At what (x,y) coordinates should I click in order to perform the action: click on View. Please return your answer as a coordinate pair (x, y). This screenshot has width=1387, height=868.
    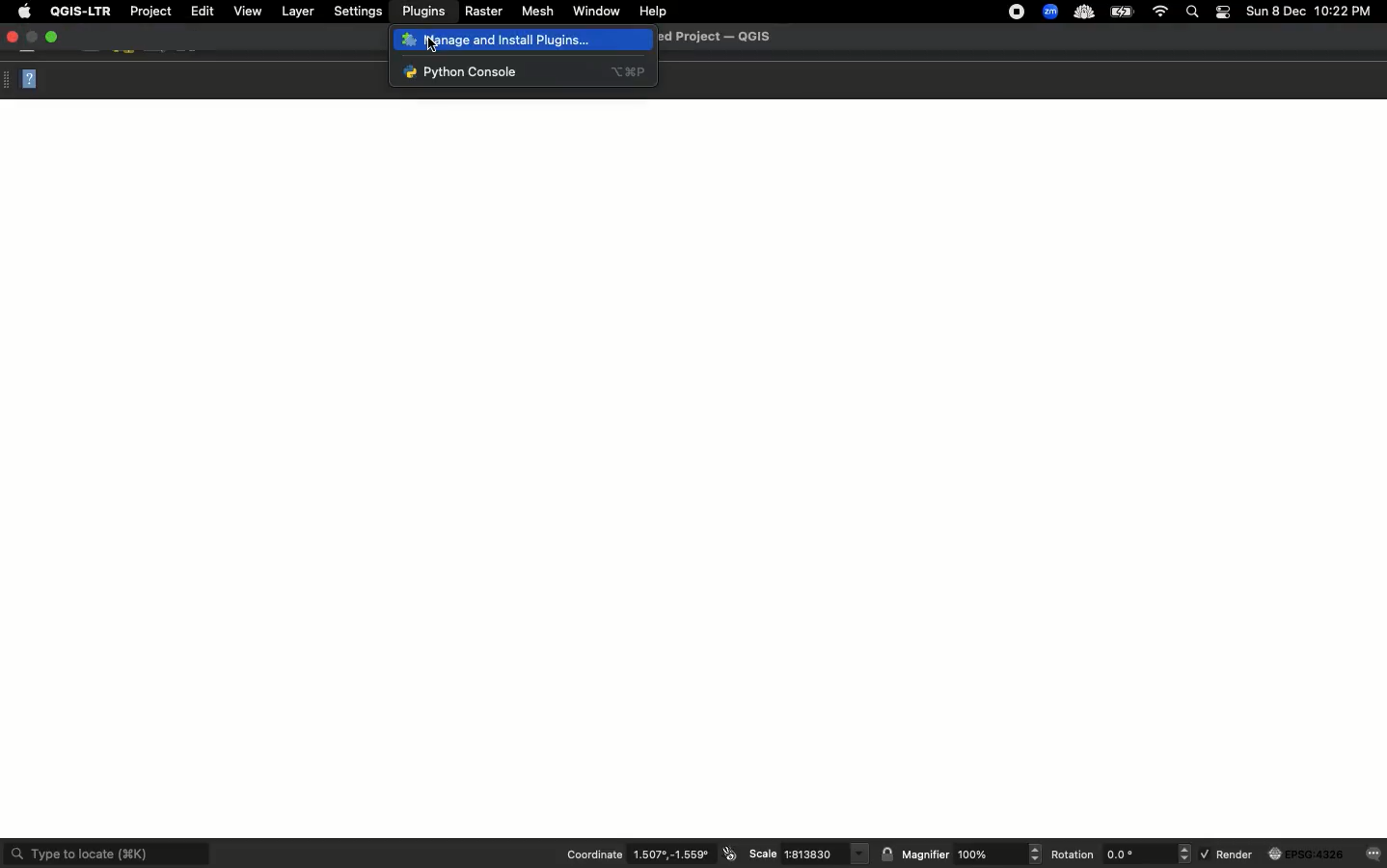
    Looking at the image, I should click on (248, 11).